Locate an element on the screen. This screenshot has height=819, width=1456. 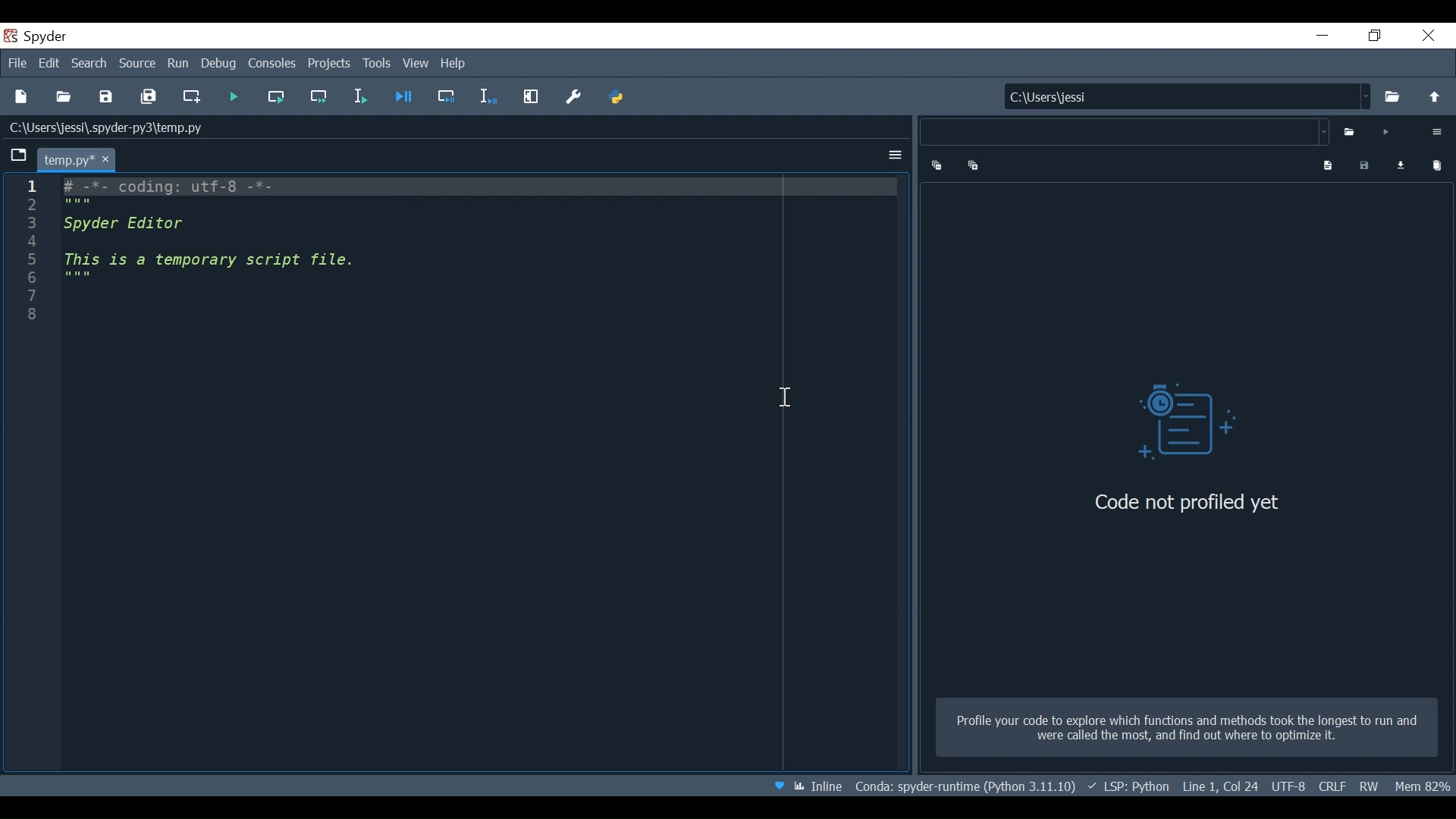
Spyder Desktop Icon is located at coordinates (11, 36).